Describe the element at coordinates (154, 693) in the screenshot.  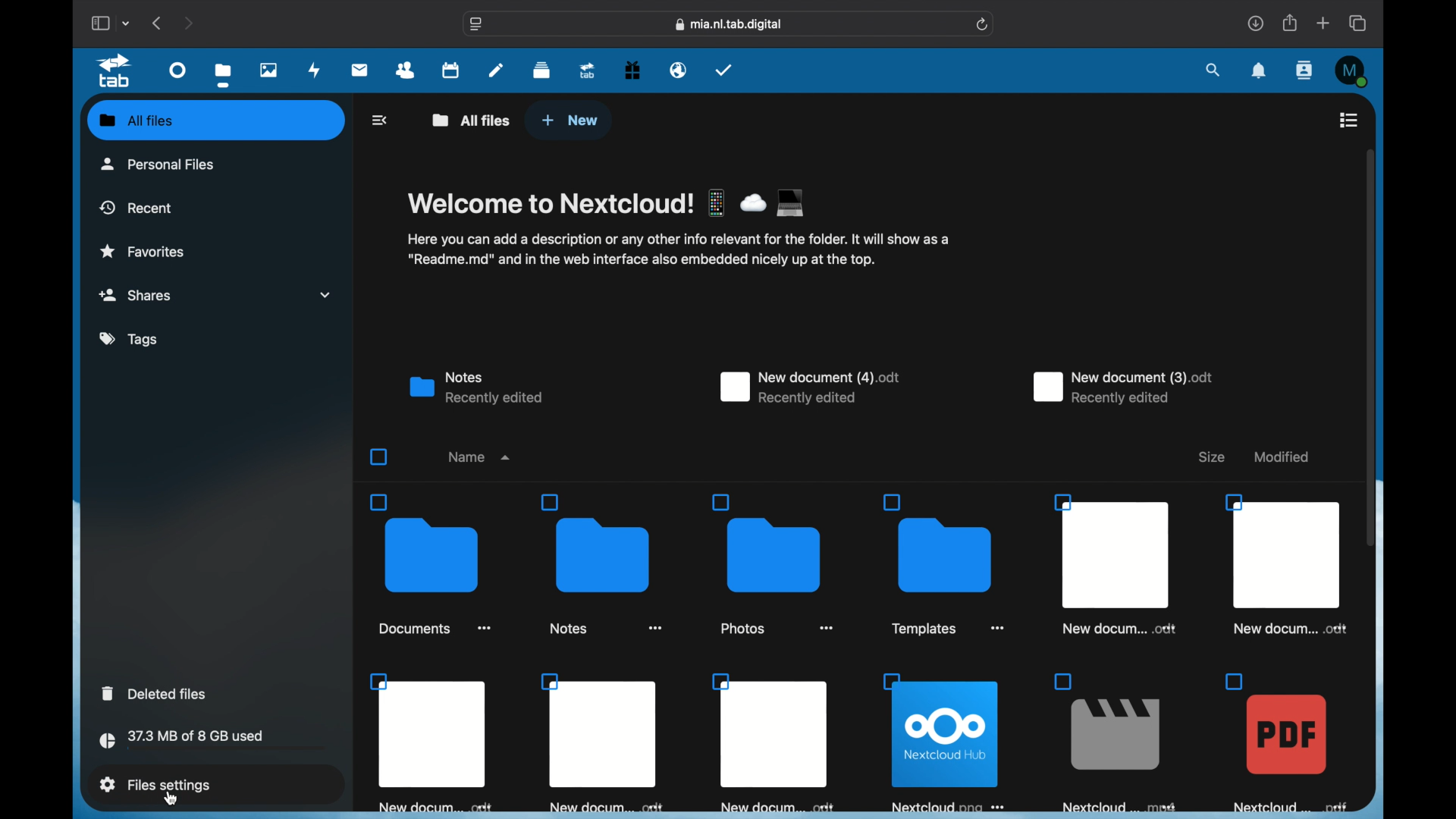
I see `deleted files` at that location.